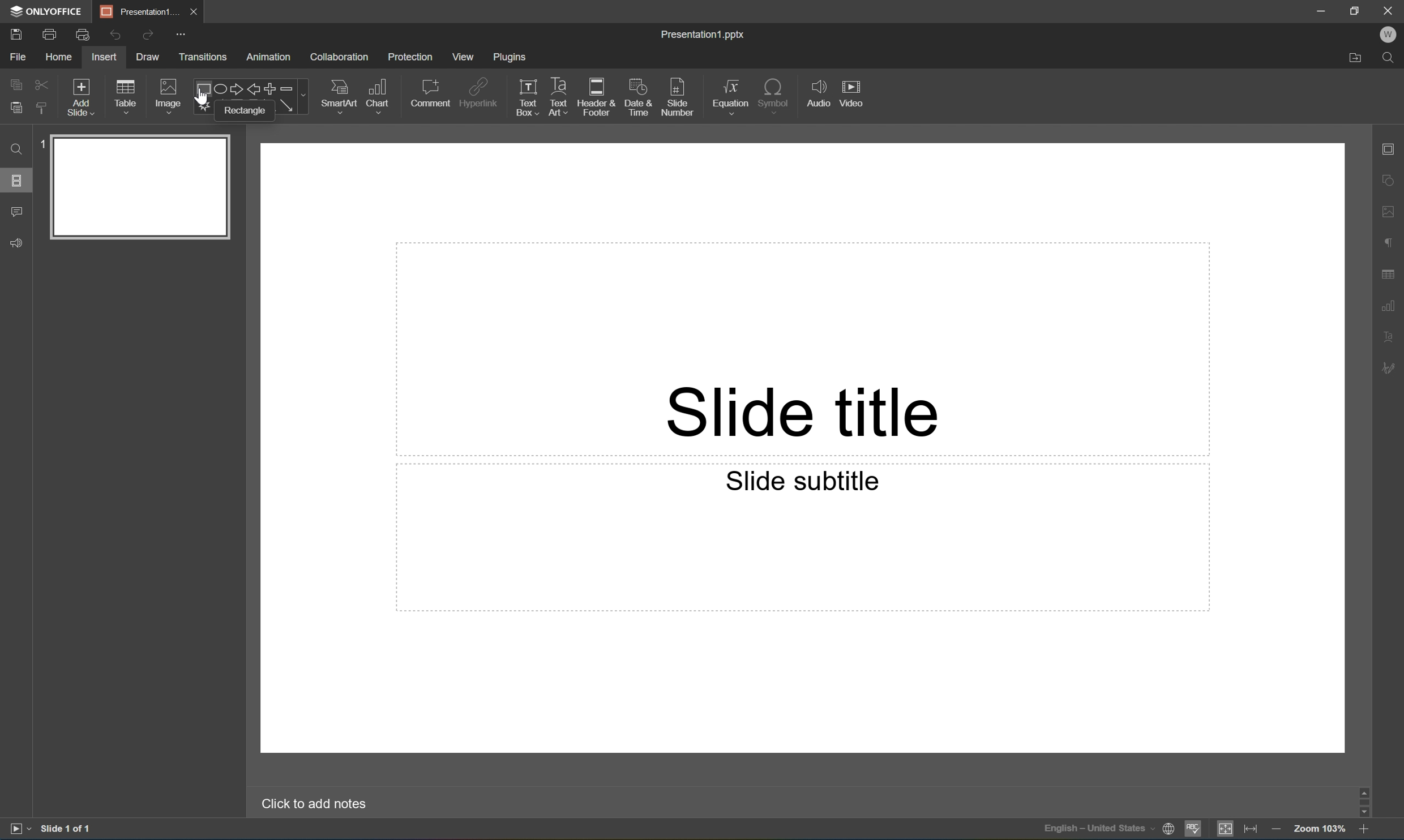  I want to click on Zoom 103%, so click(1319, 828).